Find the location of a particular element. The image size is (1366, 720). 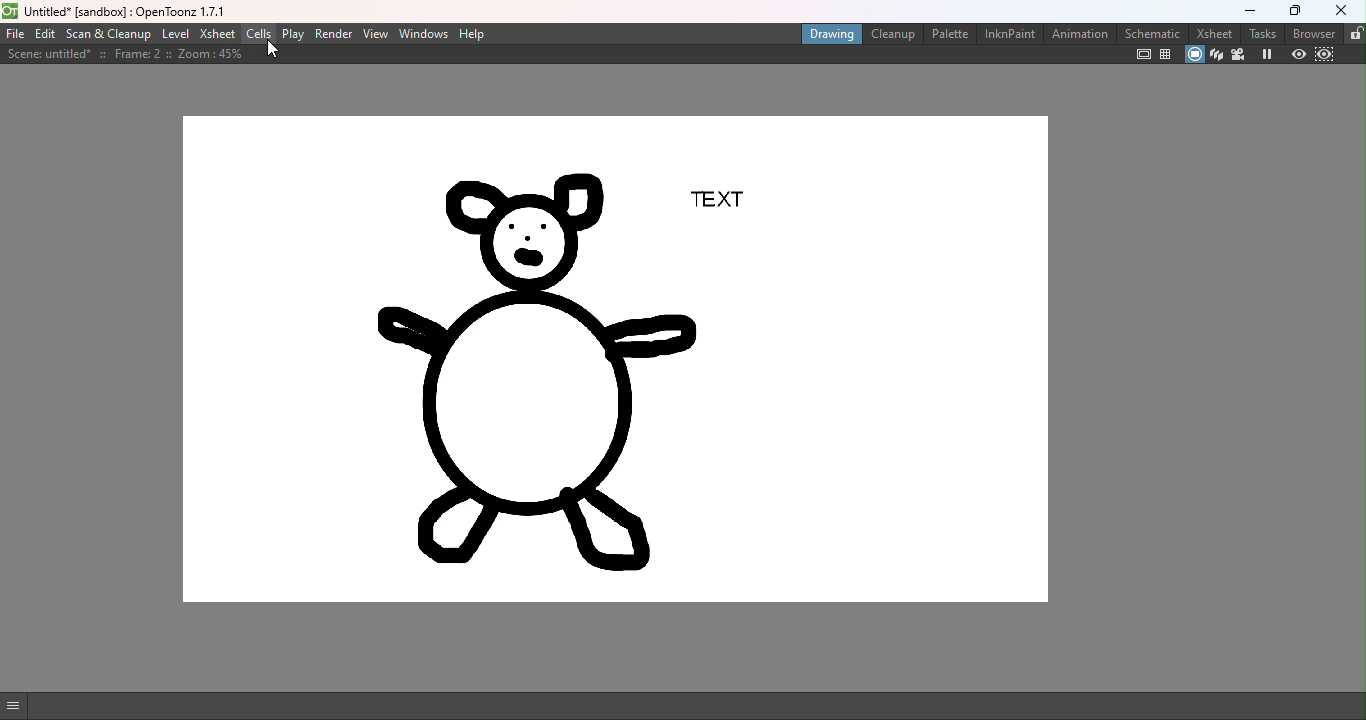

Freeze is located at coordinates (1266, 54).